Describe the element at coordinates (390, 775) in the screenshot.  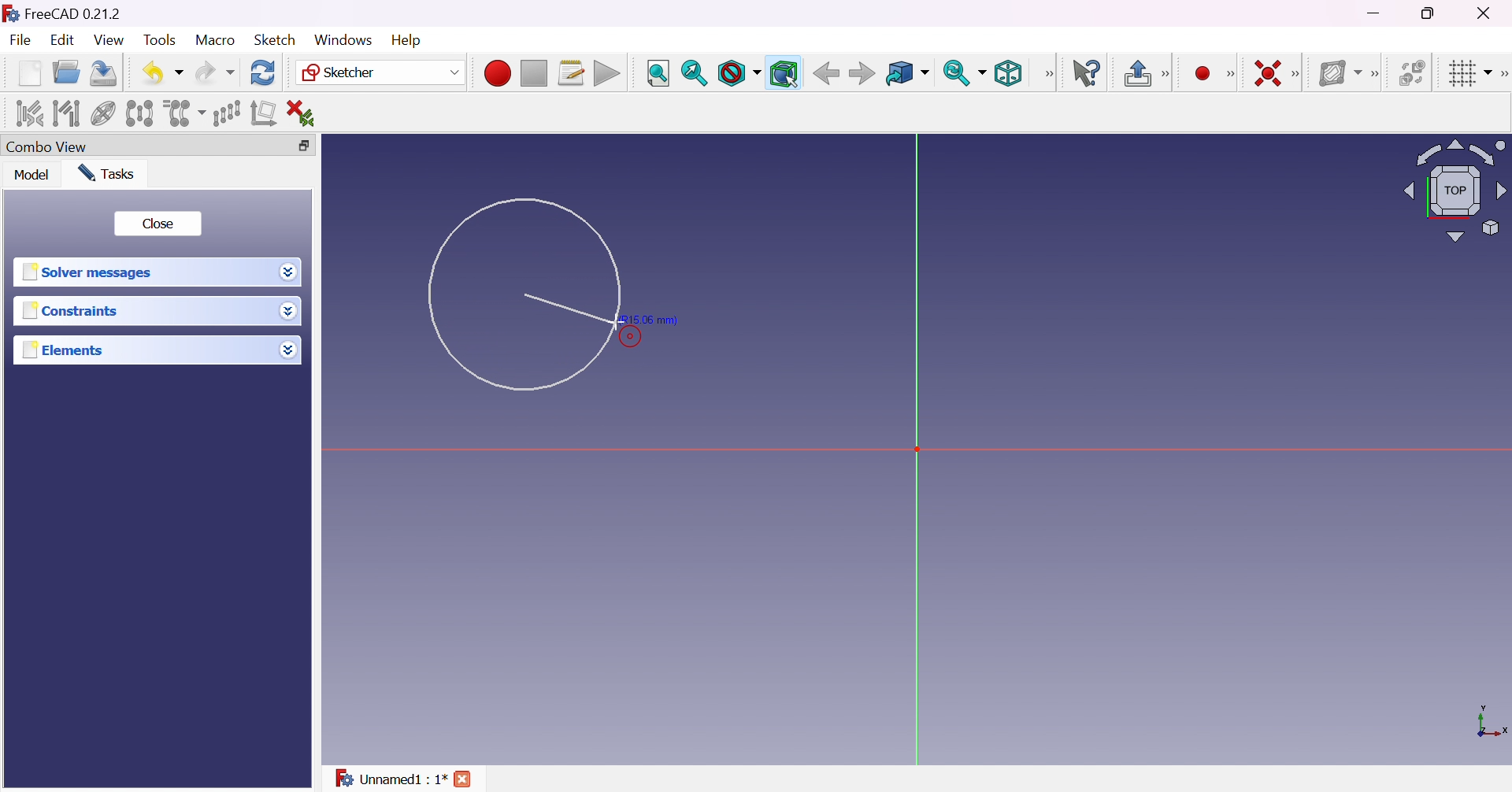
I see `Unnamed : 1*` at that location.